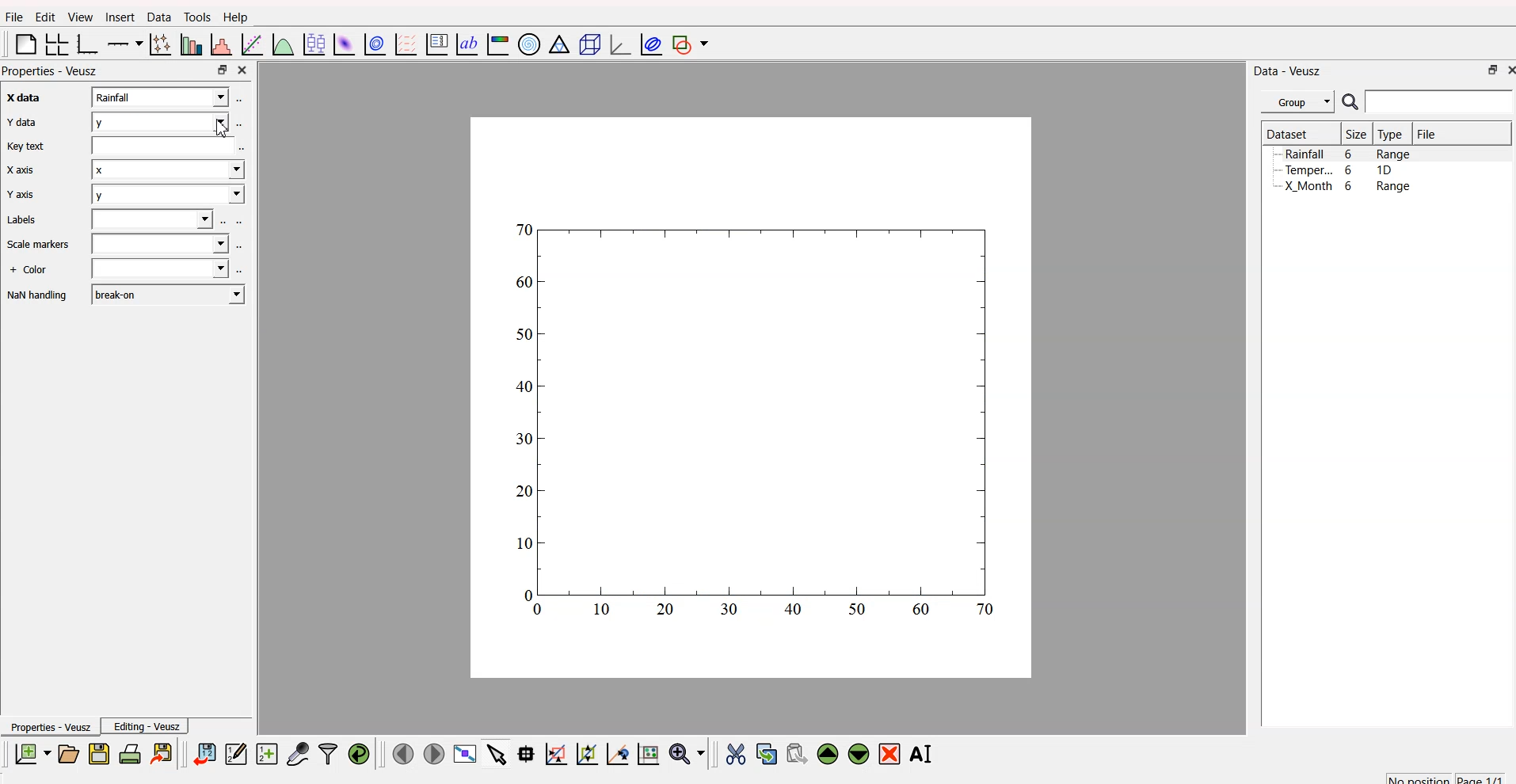 The width and height of the screenshot is (1516, 784). I want to click on Tools, so click(196, 16).